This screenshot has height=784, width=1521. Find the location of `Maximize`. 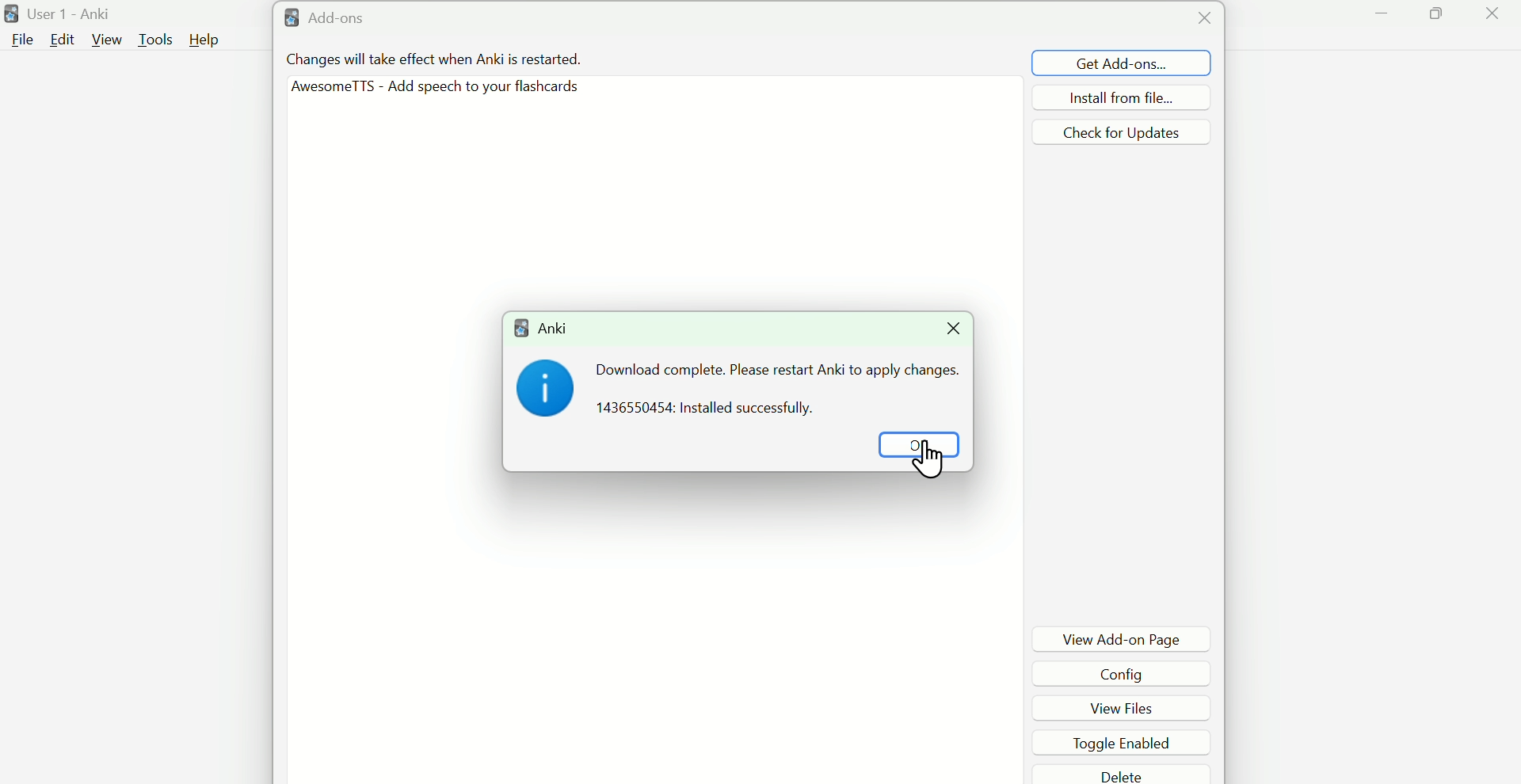

Maximize is located at coordinates (1439, 17).